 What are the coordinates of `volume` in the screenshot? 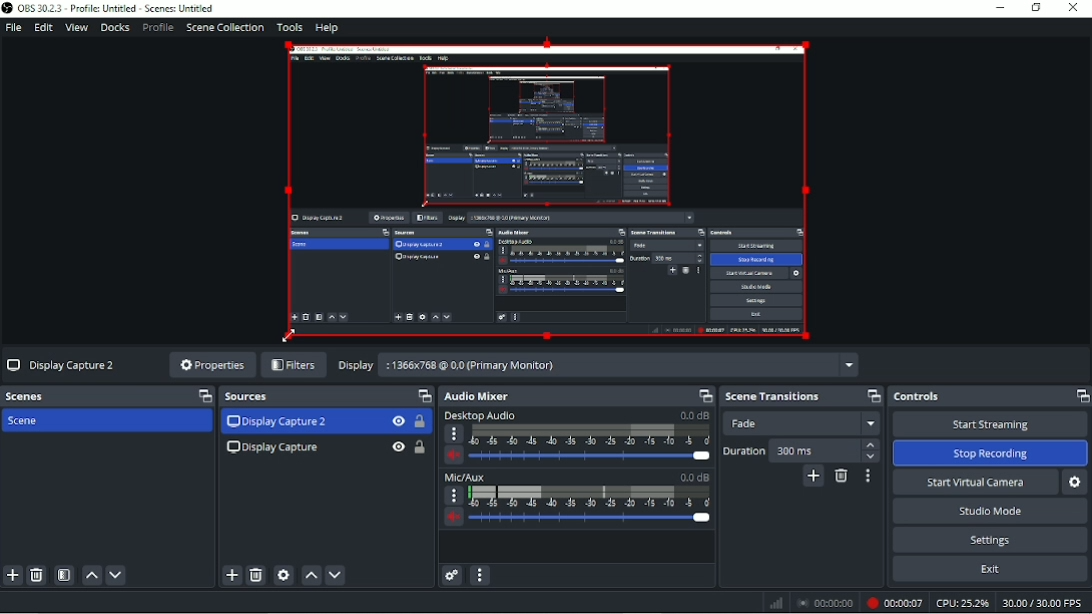 It's located at (453, 456).